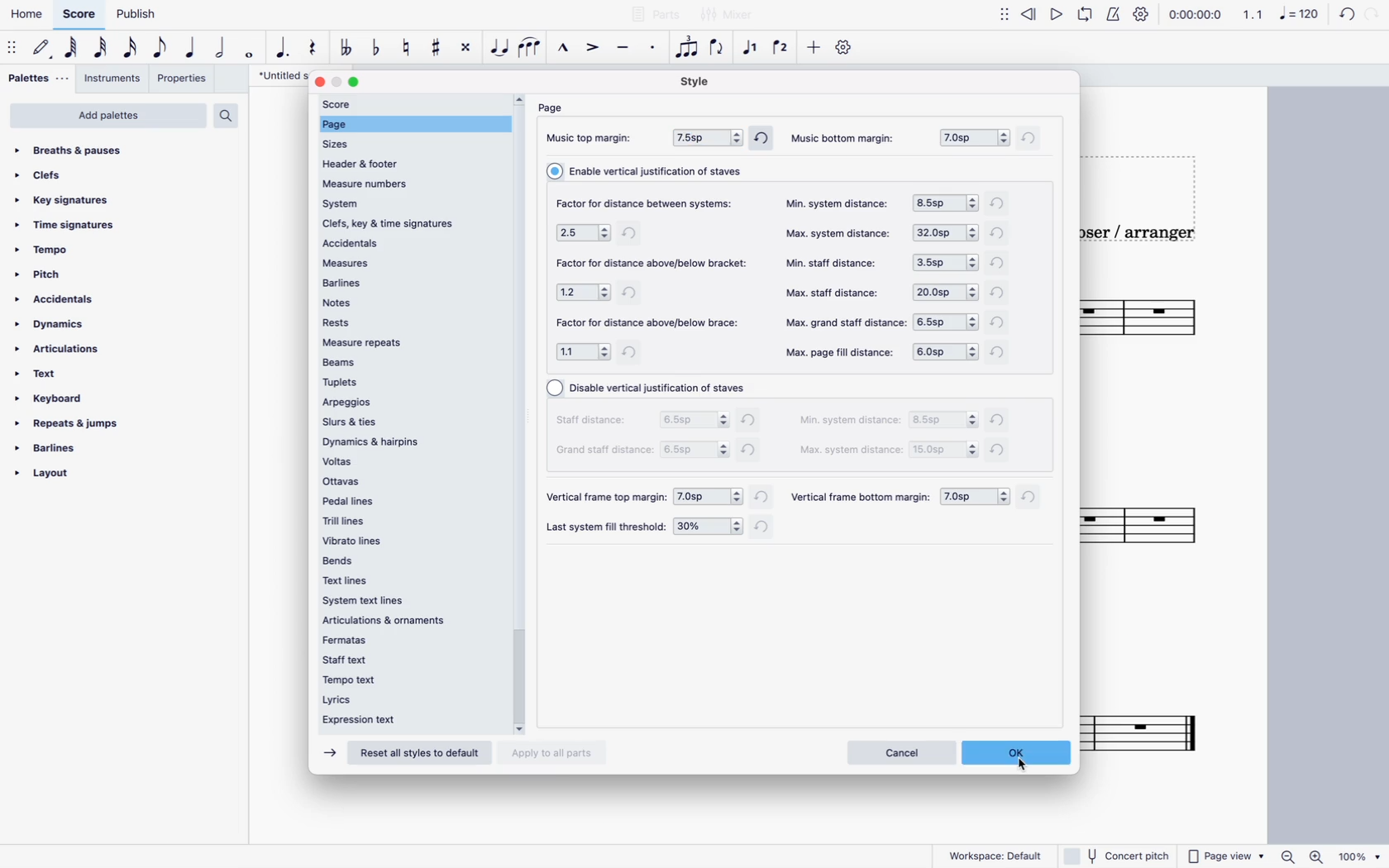 The image size is (1389, 868). Describe the element at coordinates (695, 420) in the screenshot. I see `options` at that location.